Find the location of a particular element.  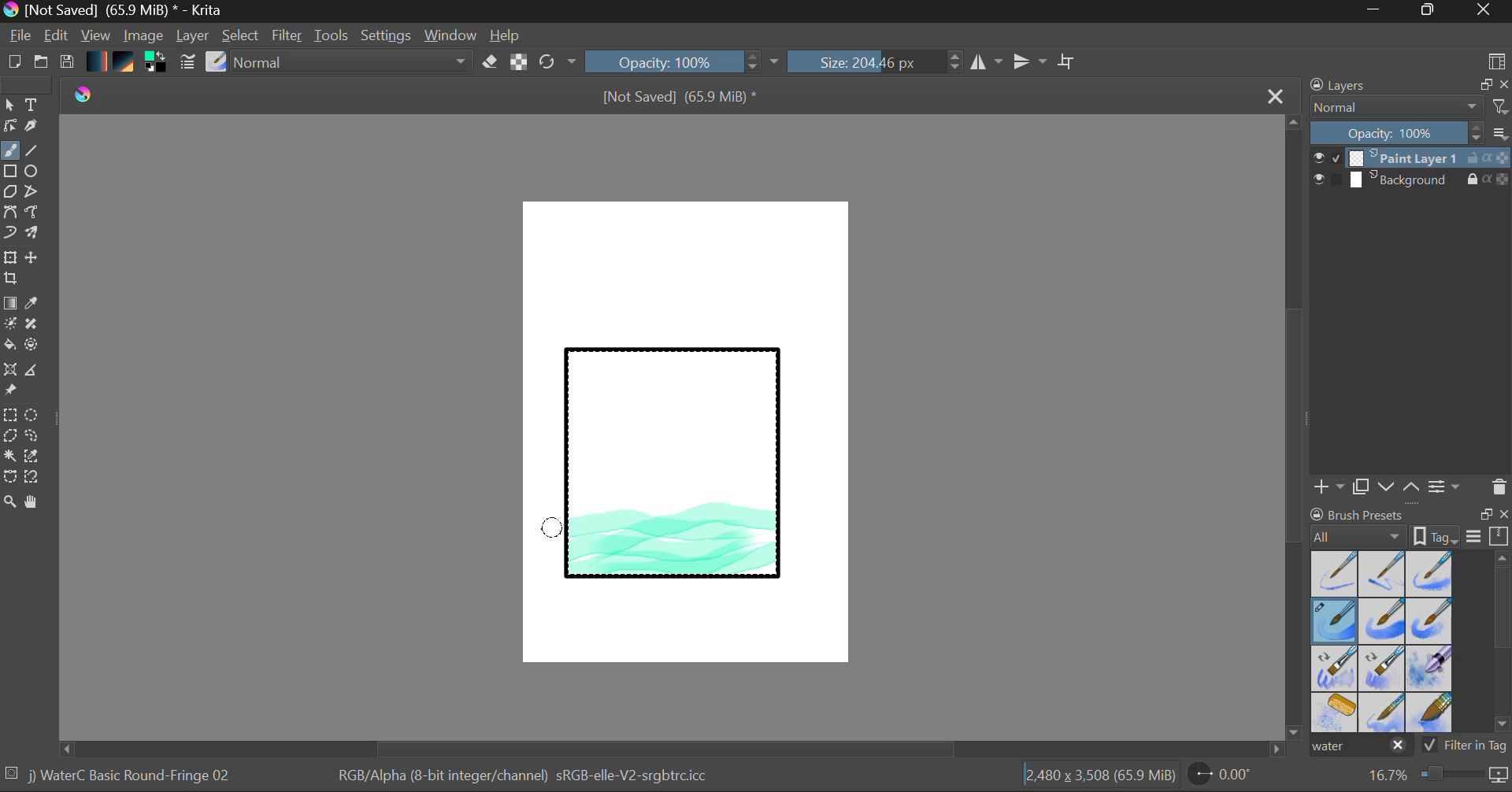

Brush Size is located at coordinates (876, 61).